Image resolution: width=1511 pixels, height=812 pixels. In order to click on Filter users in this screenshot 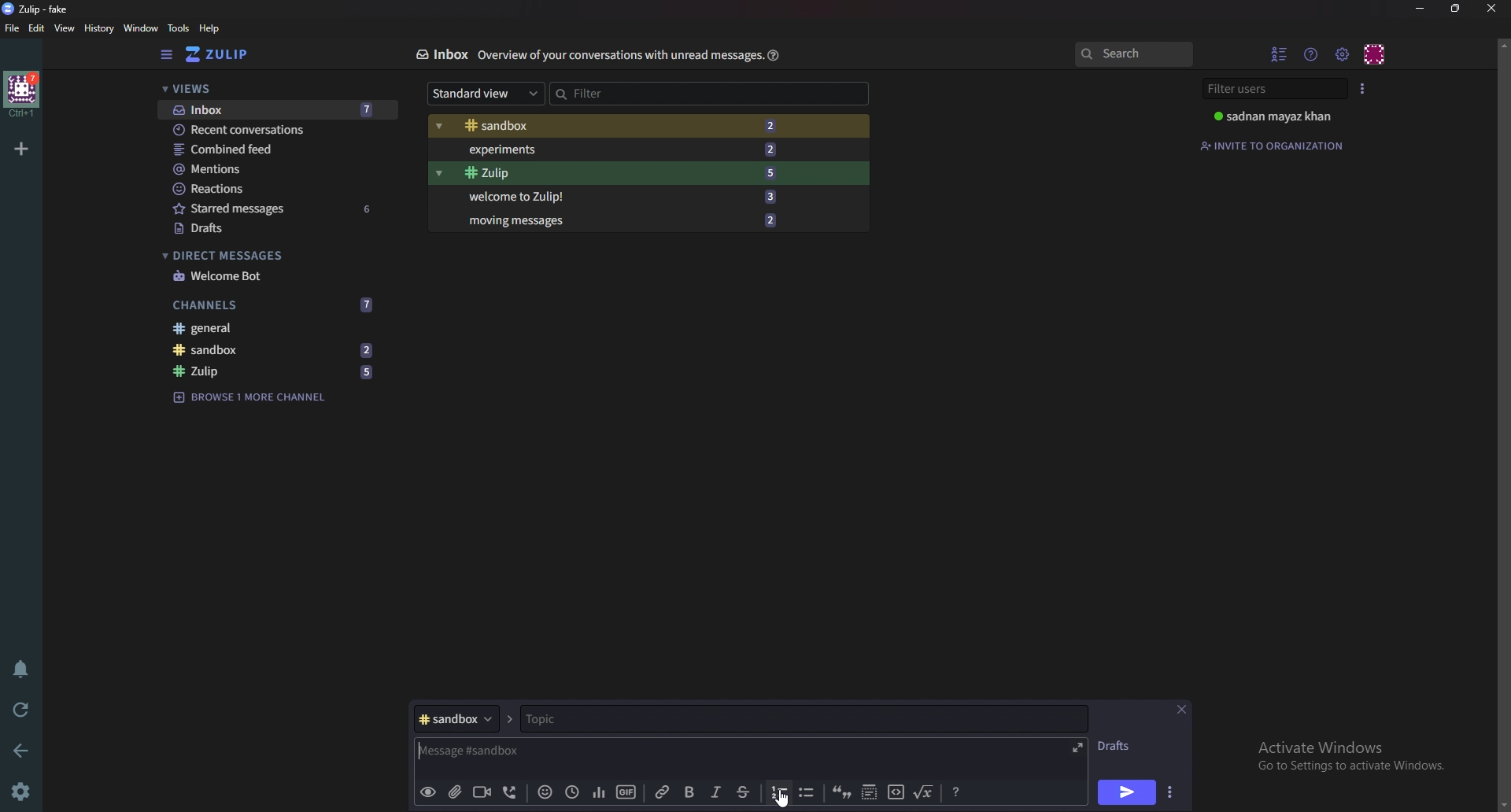, I will do `click(1273, 89)`.